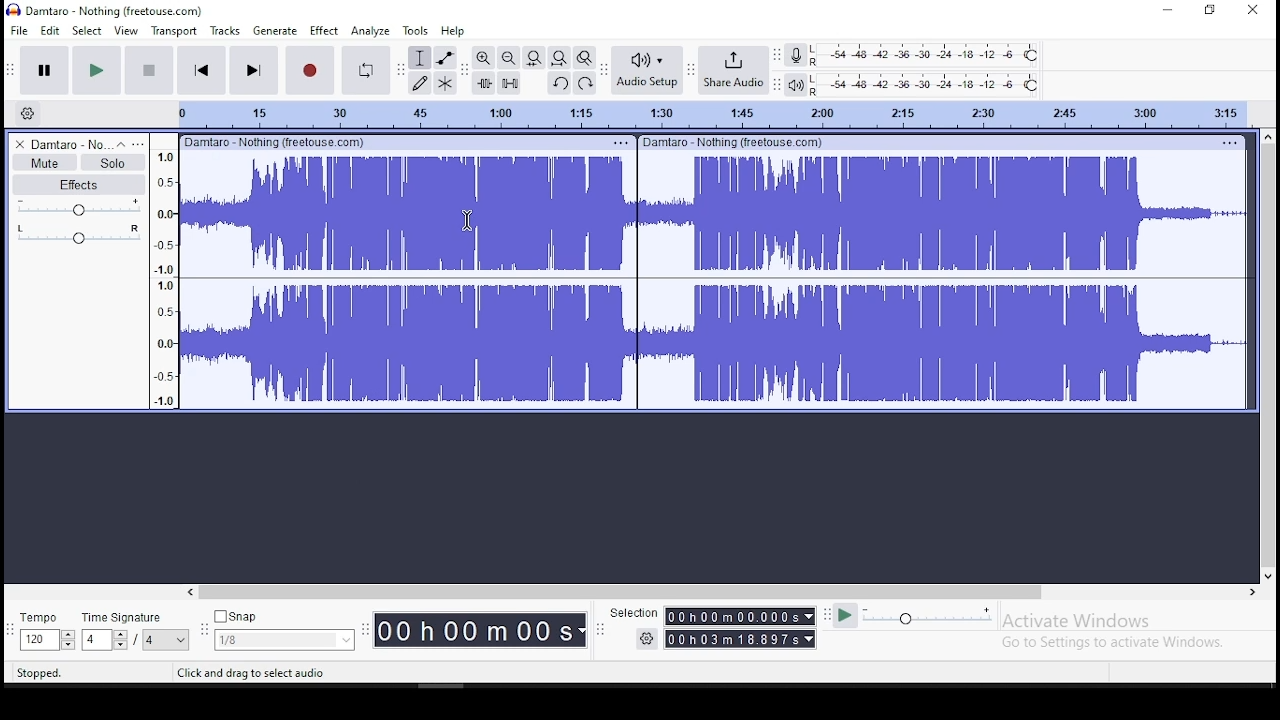 Image resolution: width=1280 pixels, height=720 pixels. I want to click on stop, so click(149, 69).